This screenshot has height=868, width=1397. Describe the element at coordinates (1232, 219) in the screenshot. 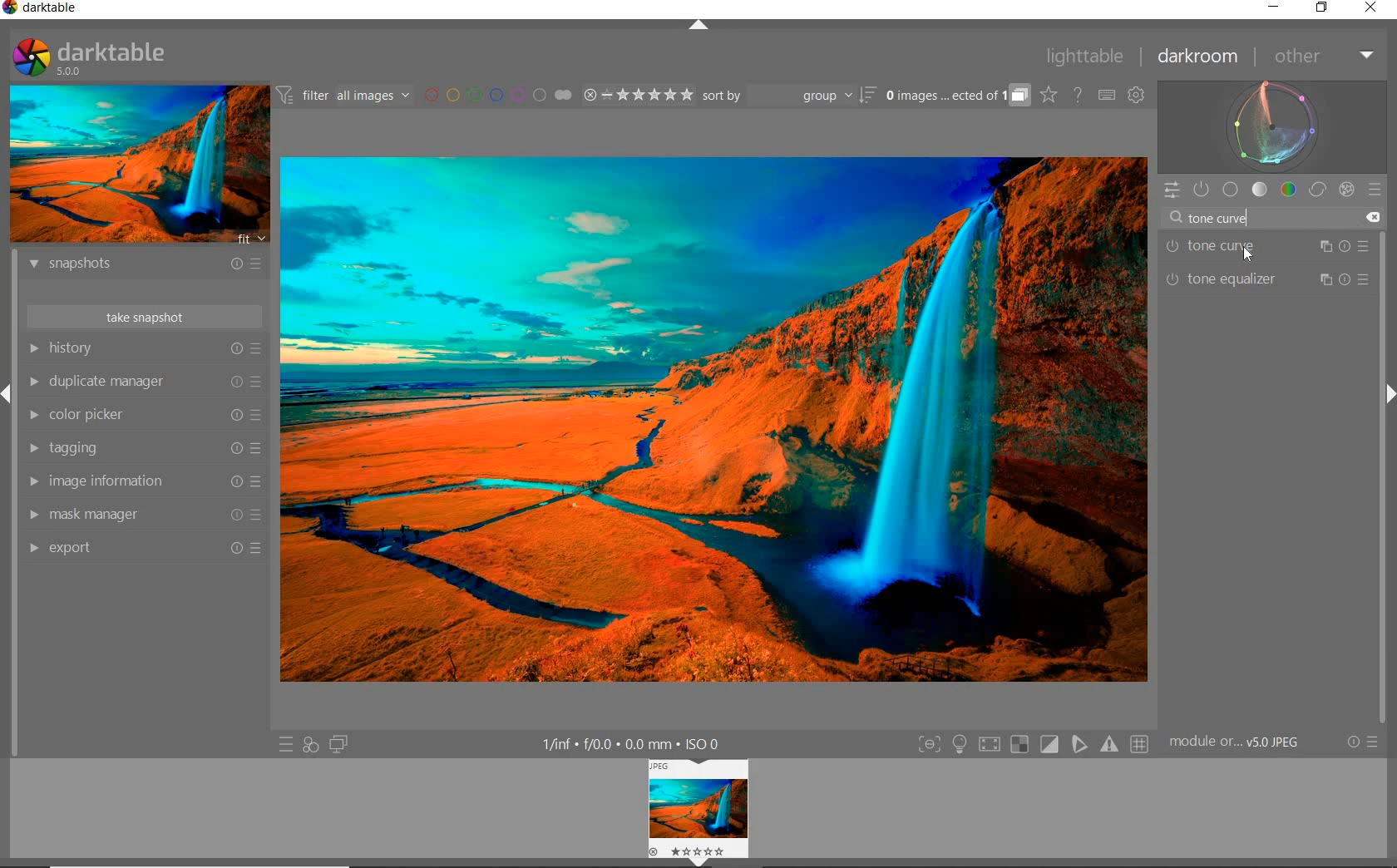

I see `TONE` at that location.